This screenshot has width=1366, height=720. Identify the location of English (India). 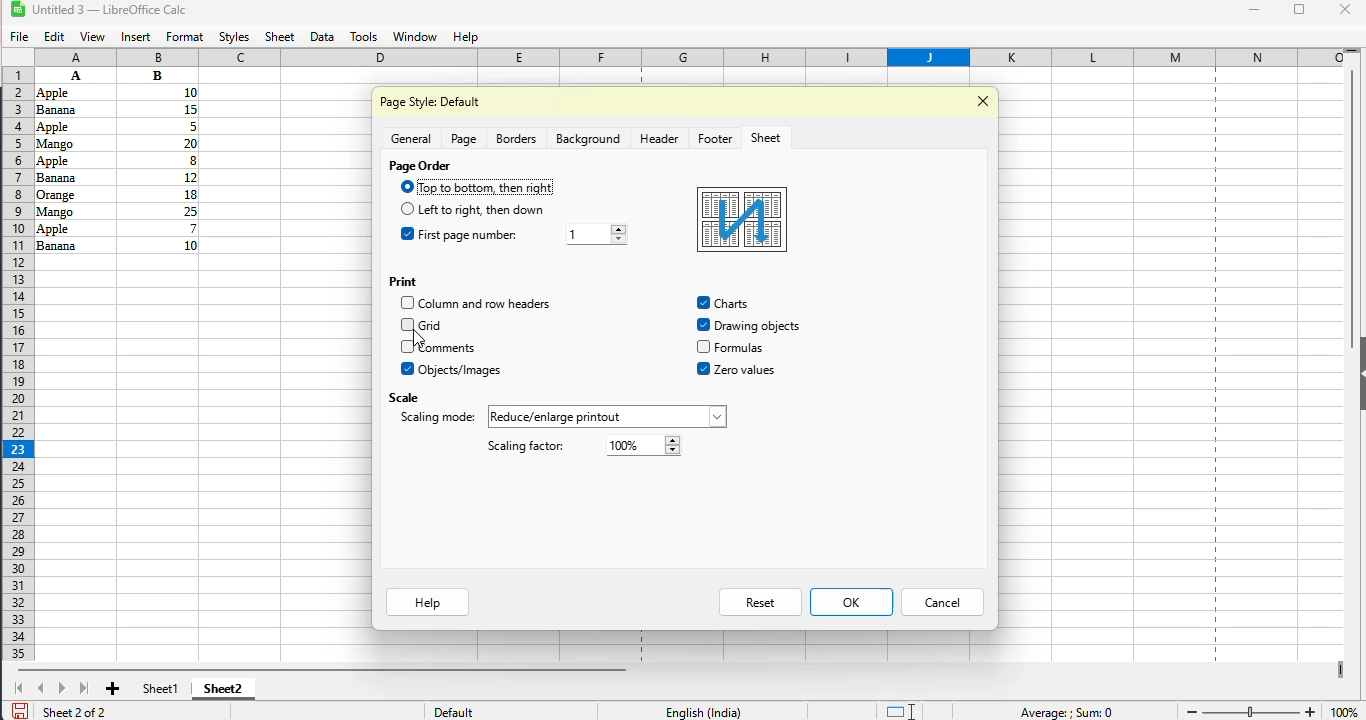
(703, 711).